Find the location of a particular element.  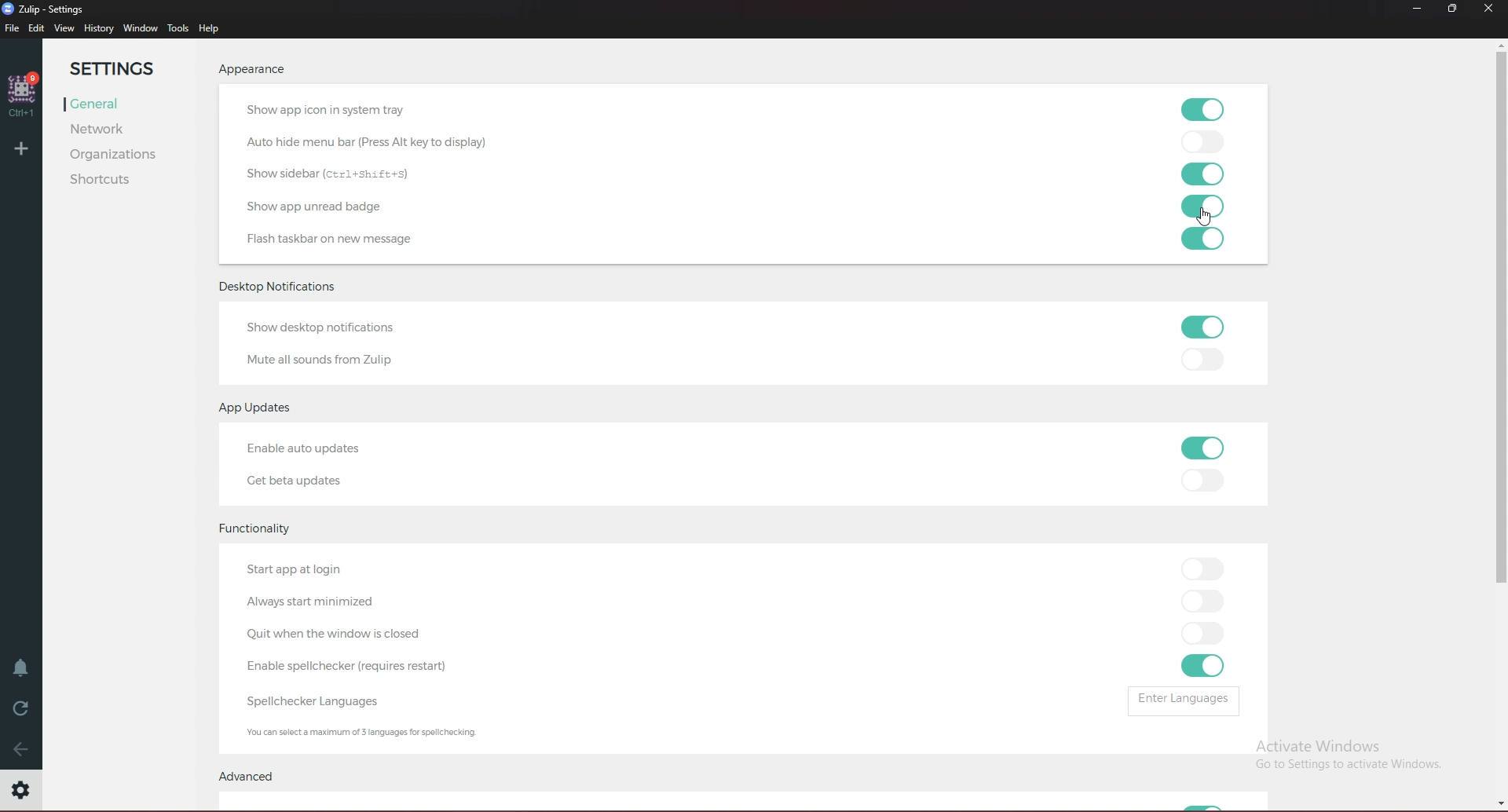

toggle is located at coordinates (1208, 239).